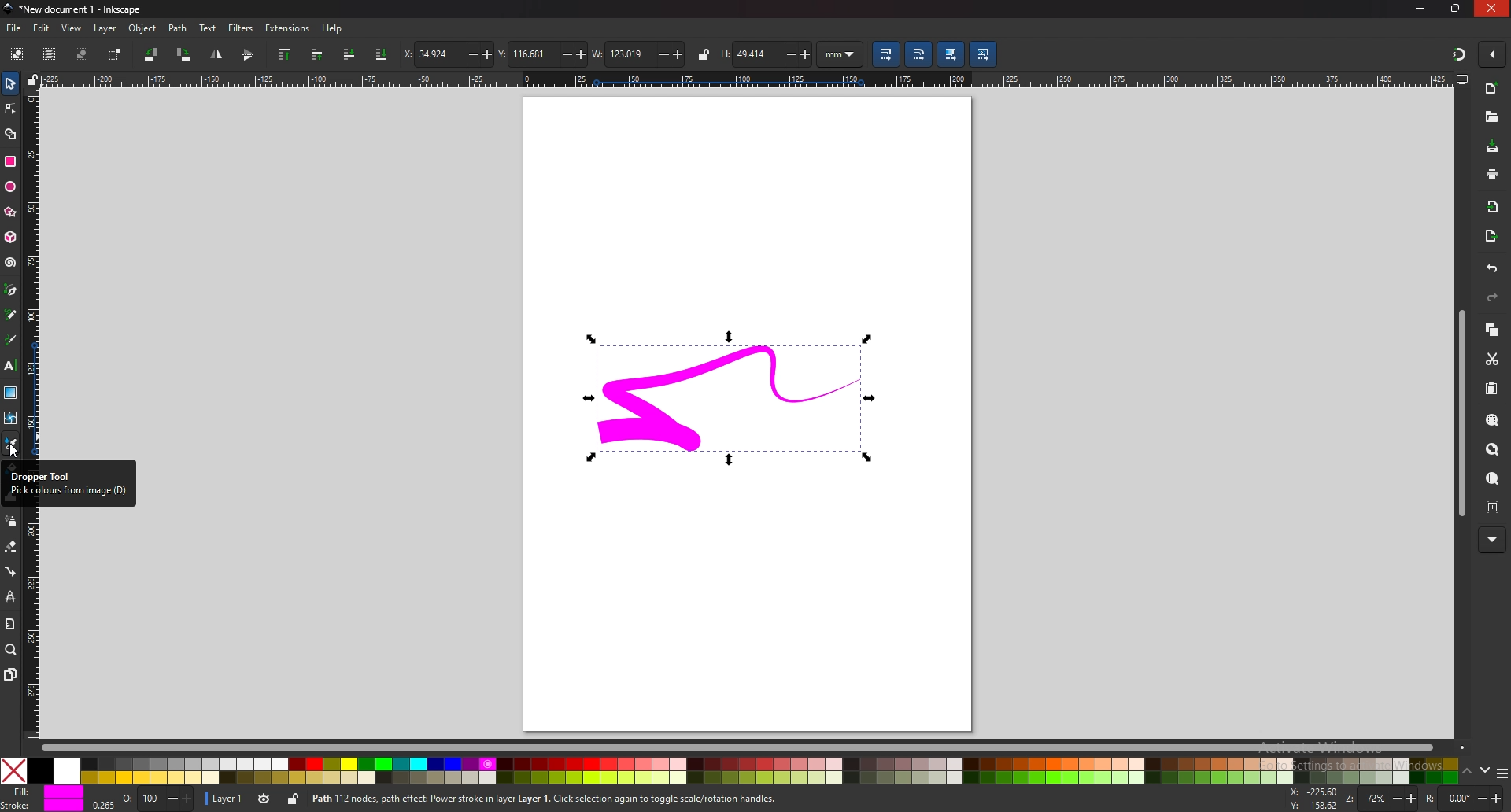 Image resolution: width=1511 pixels, height=812 pixels. What do you see at coordinates (744, 79) in the screenshot?
I see `horizontal scale` at bounding box center [744, 79].